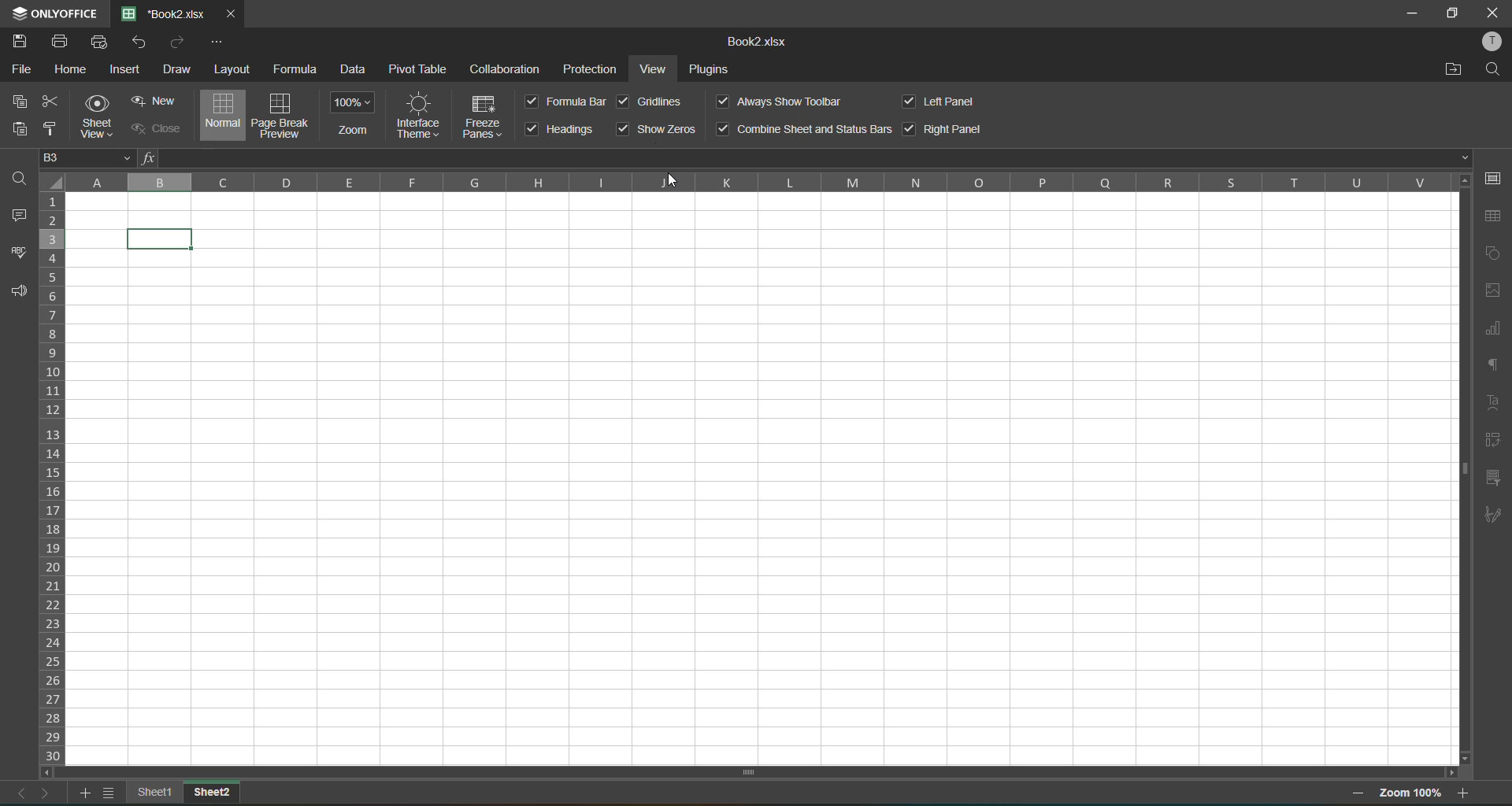 The height and width of the screenshot is (806, 1512). I want to click on spellcheck, so click(20, 254).